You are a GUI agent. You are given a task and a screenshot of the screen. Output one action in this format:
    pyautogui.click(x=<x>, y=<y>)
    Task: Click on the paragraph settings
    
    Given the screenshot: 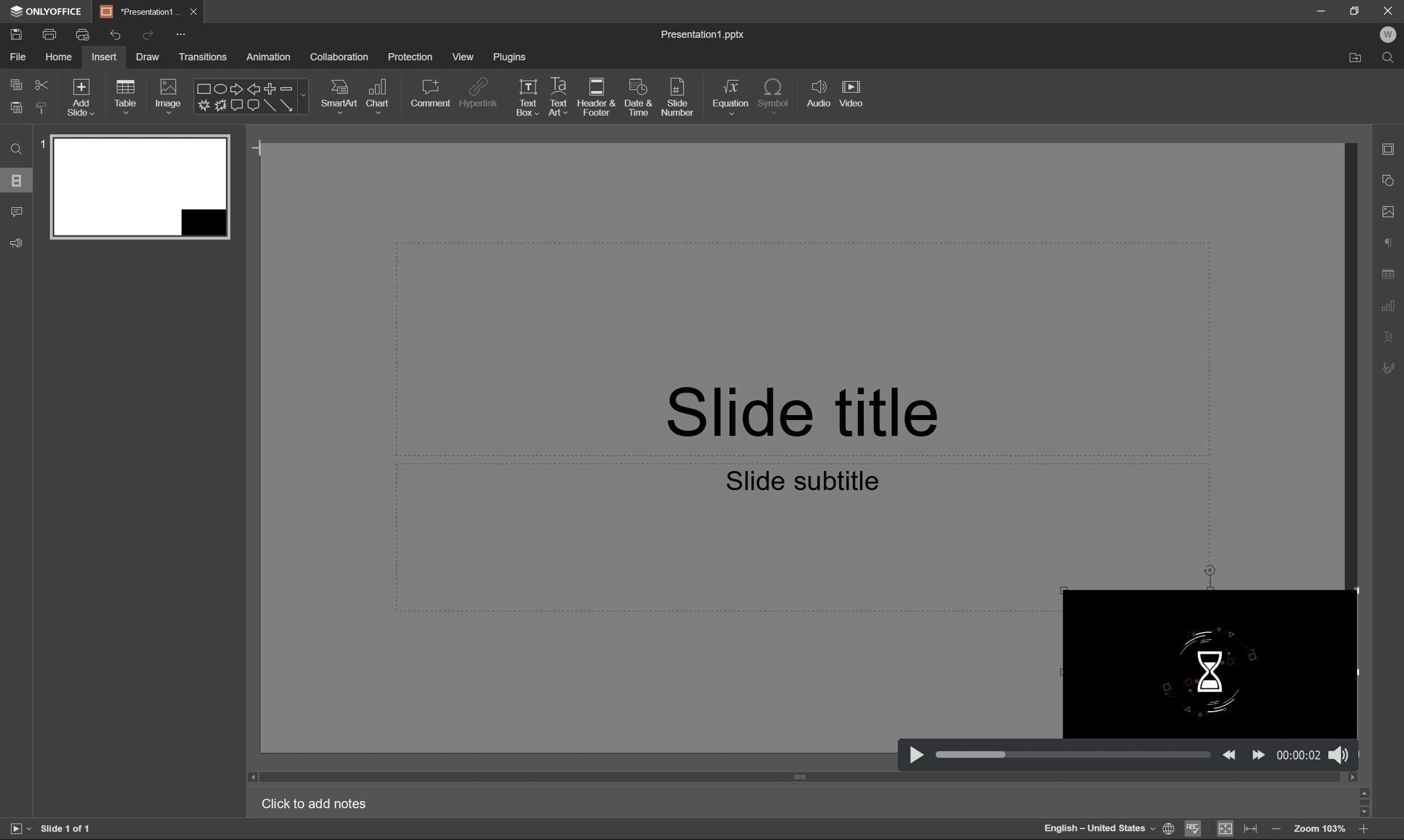 What is the action you would take?
    pyautogui.click(x=1389, y=239)
    